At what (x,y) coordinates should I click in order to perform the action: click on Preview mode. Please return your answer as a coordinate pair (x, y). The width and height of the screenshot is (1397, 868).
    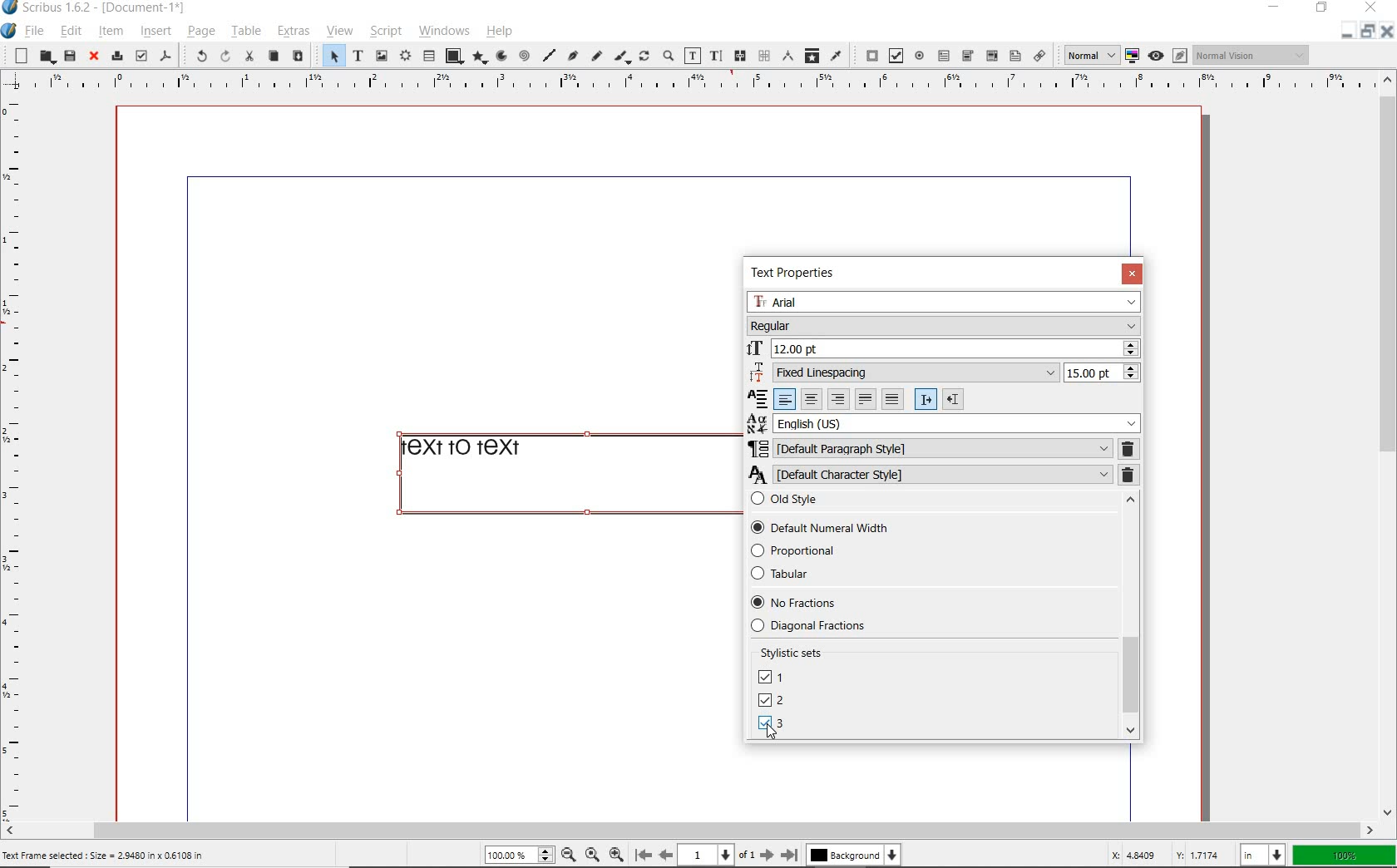
    Looking at the image, I should click on (1155, 55).